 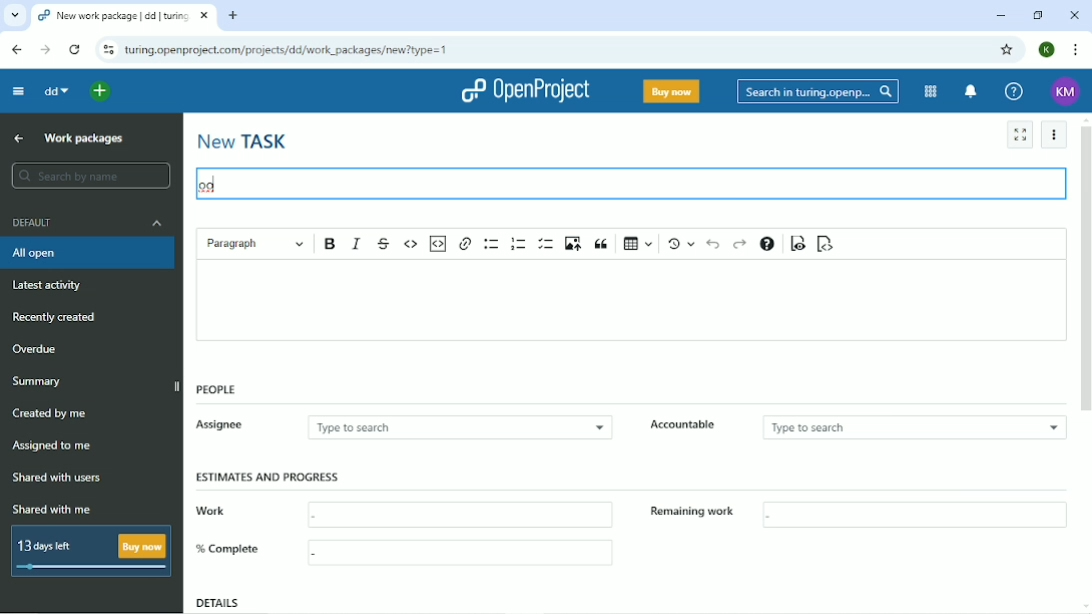 What do you see at coordinates (712, 244) in the screenshot?
I see `Undo` at bounding box center [712, 244].